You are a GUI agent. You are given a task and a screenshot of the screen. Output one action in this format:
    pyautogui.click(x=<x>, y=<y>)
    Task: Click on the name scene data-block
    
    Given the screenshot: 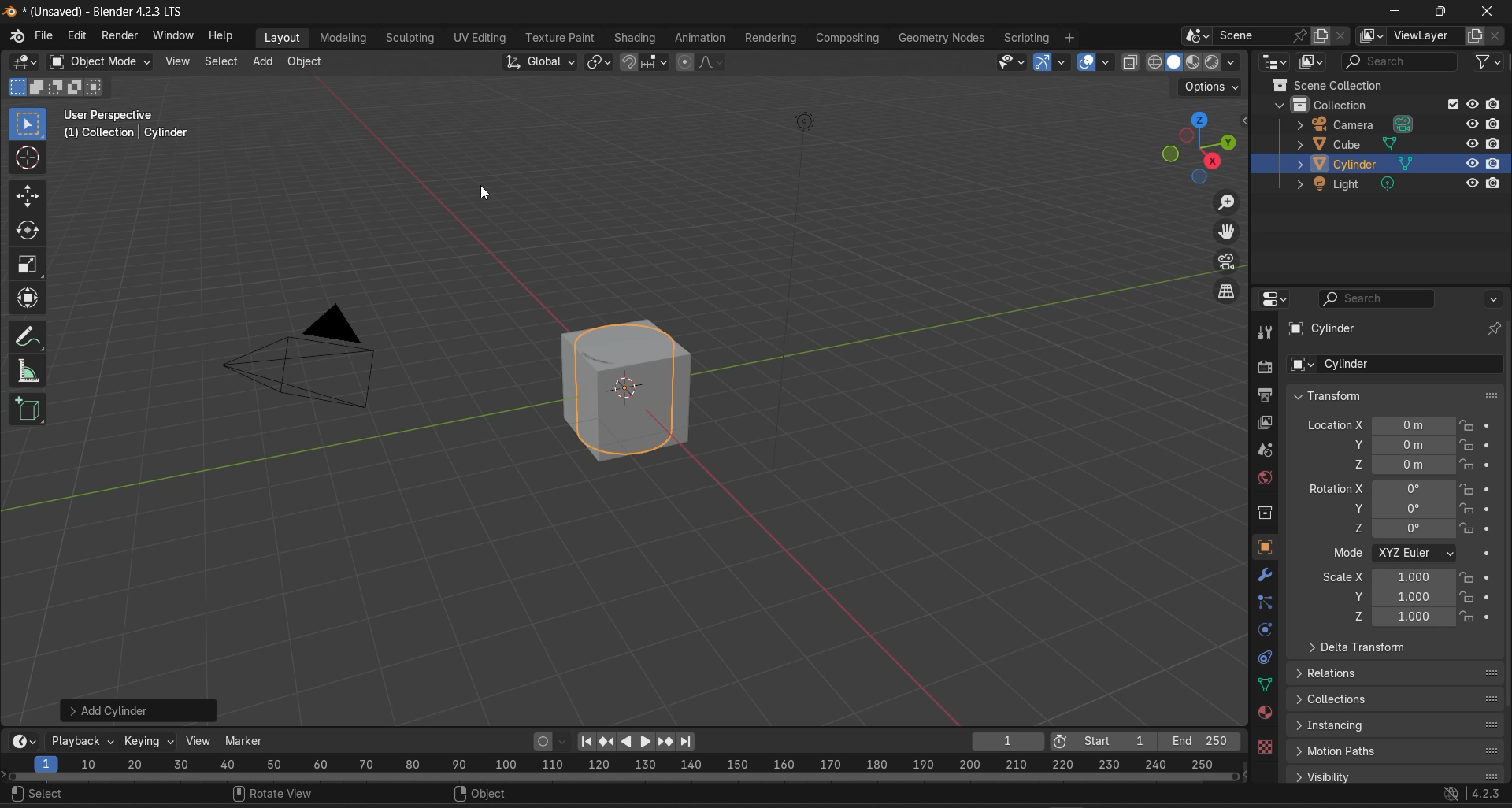 What is the action you would take?
    pyautogui.click(x=1253, y=36)
    